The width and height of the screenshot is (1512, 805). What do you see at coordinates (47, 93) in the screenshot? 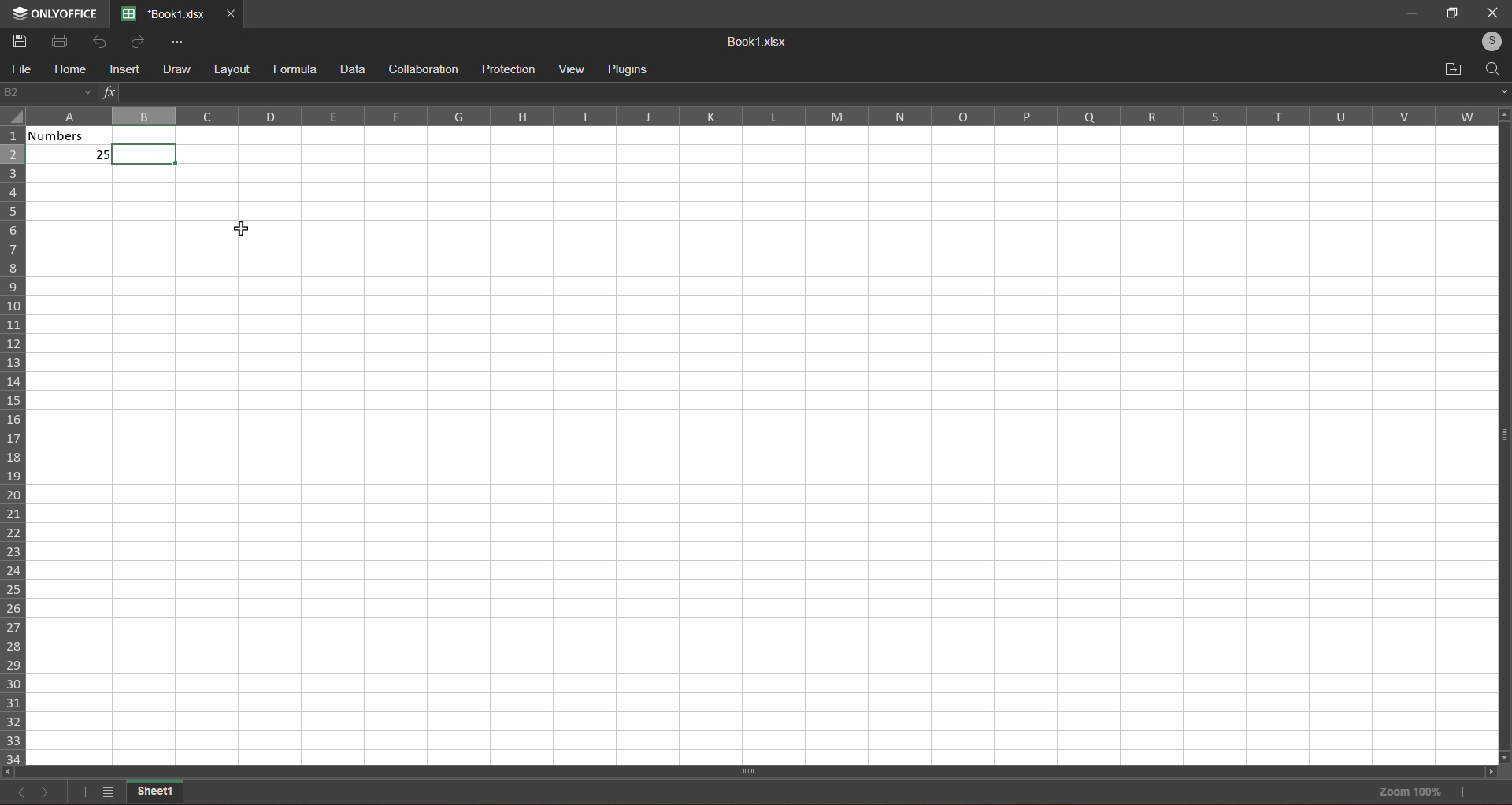
I see `current cell` at bounding box center [47, 93].